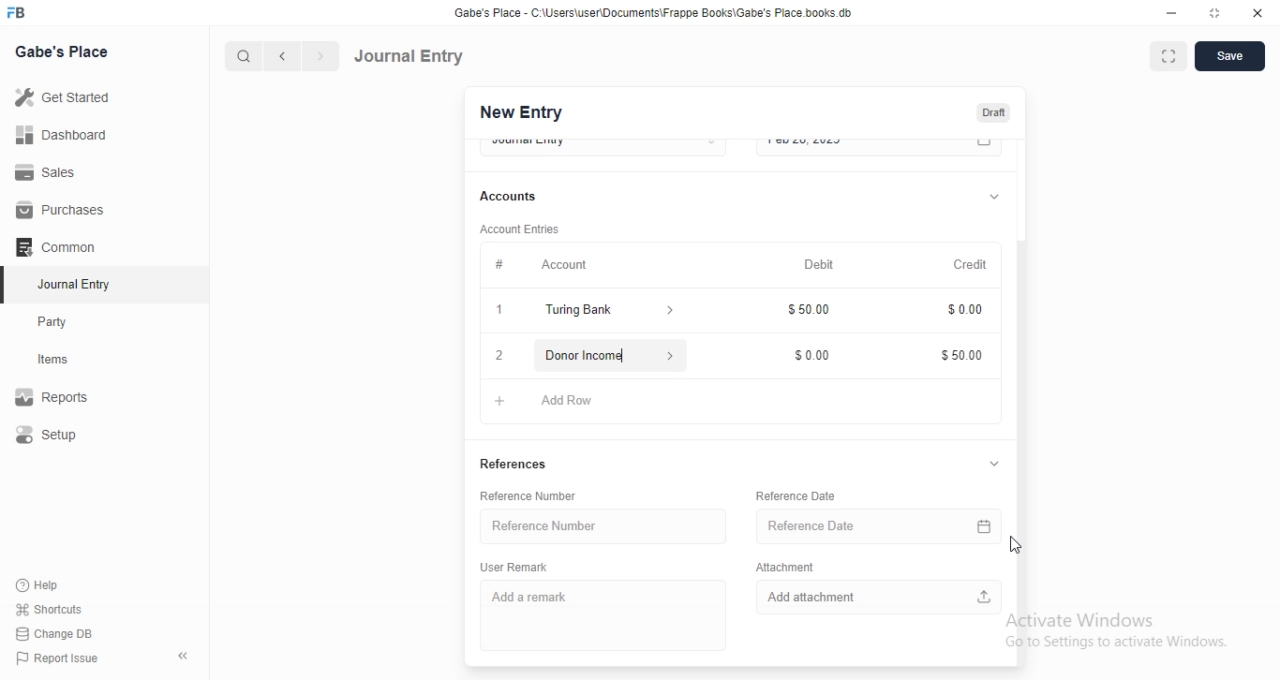 This screenshot has height=680, width=1280. I want to click on Journal Entry, so click(65, 286).